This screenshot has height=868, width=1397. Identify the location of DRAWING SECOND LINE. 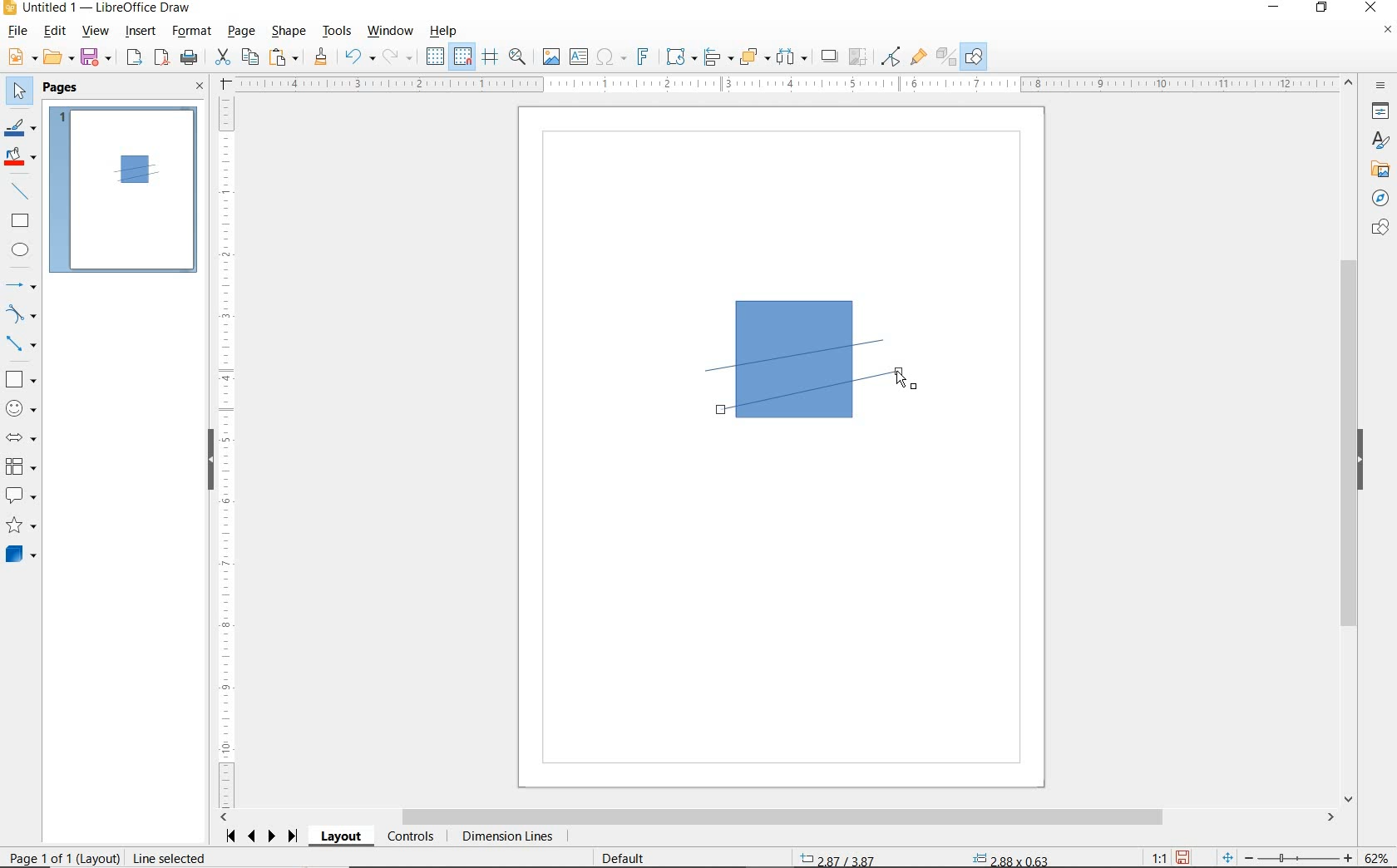
(813, 389).